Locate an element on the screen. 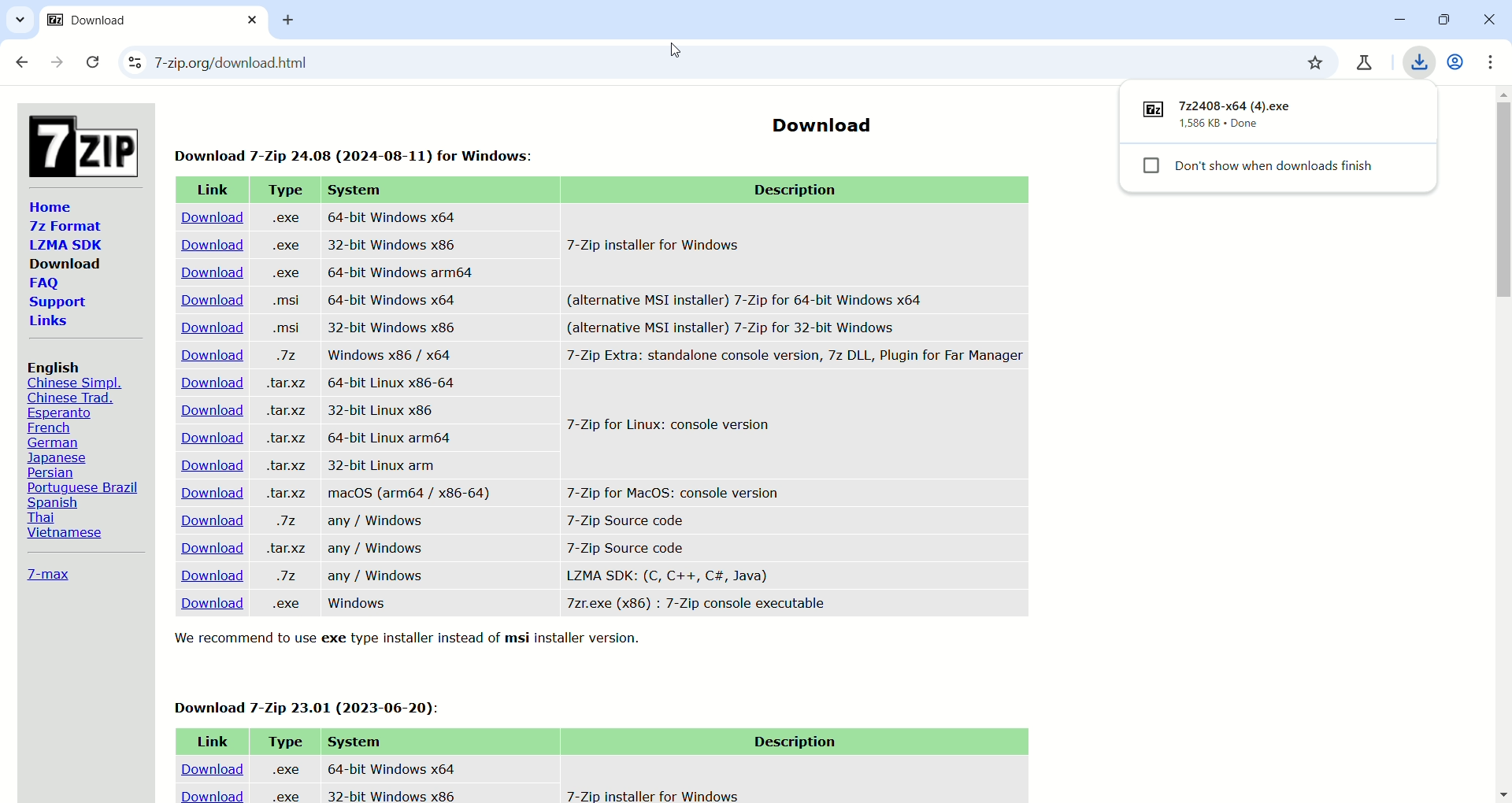 The width and height of the screenshot is (1512, 803). download is located at coordinates (212, 794).